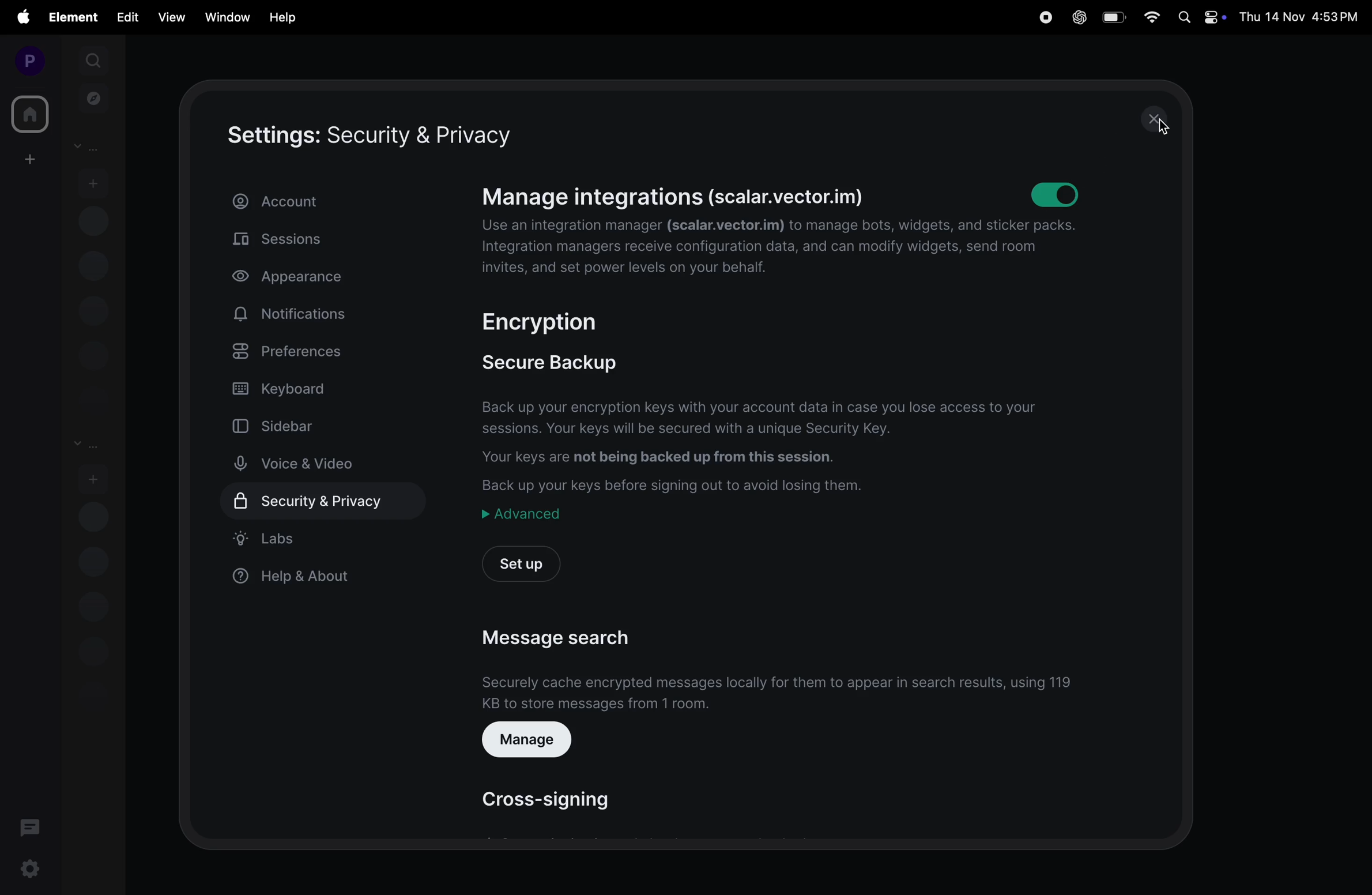  What do you see at coordinates (684, 197) in the screenshot?
I see `manage integrations (scalar.vector.im)` at bounding box center [684, 197].